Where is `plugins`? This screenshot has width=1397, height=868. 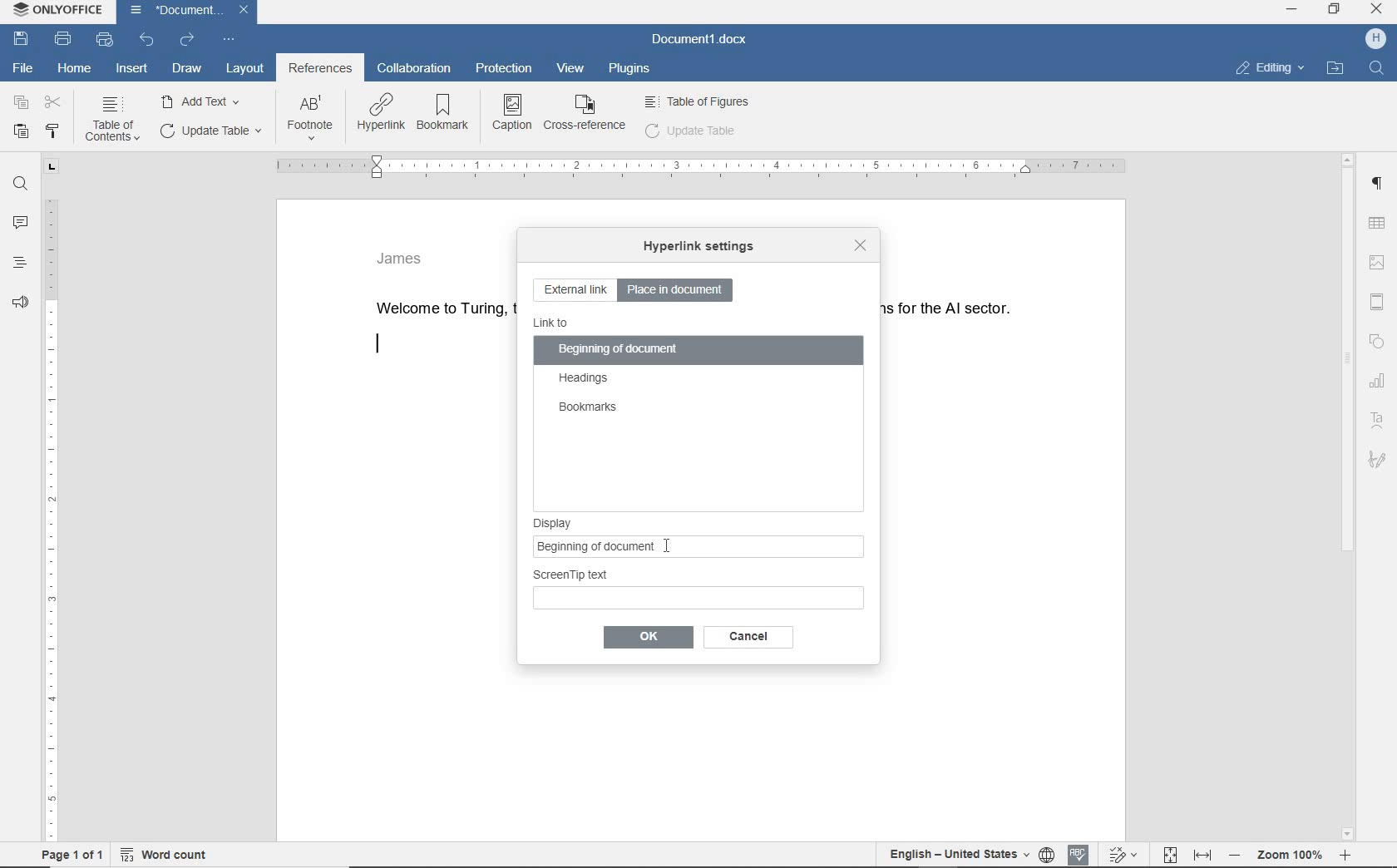 plugins is located at coordinates (631, 72).